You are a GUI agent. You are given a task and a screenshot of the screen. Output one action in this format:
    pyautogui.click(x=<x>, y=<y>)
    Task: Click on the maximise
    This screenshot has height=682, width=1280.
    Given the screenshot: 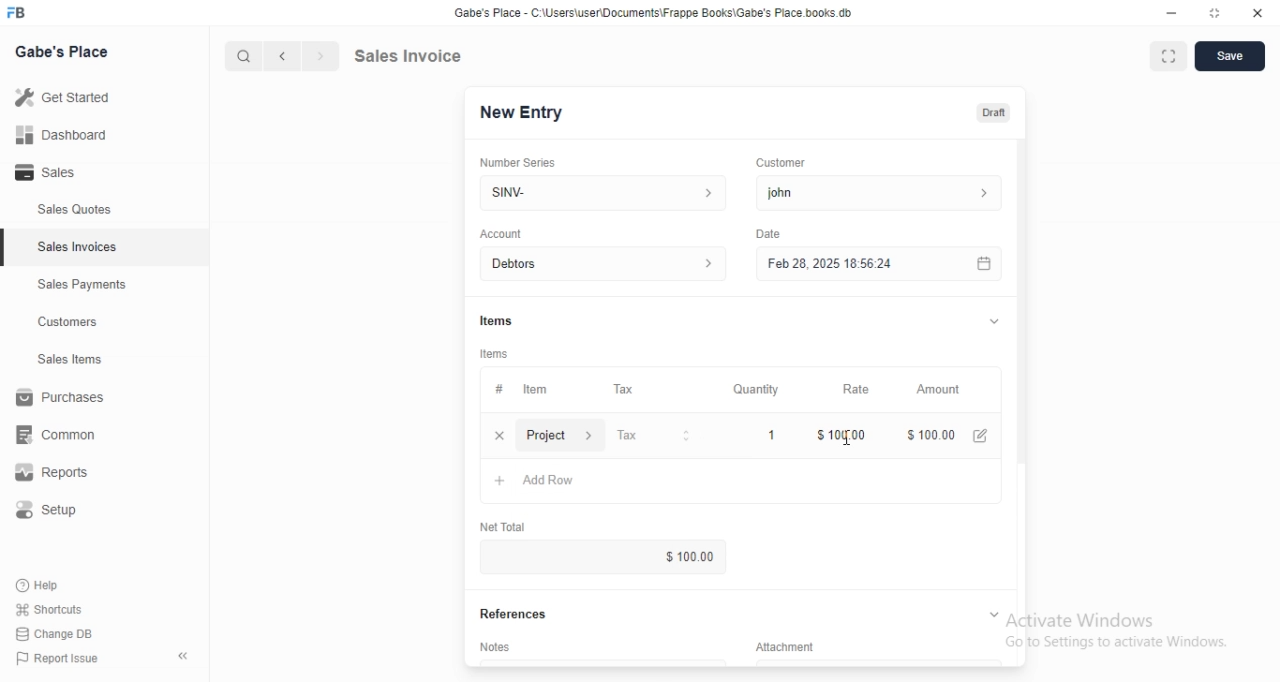 What is the action you would take?
    pyautogui.click(x=1163, y=54)
    